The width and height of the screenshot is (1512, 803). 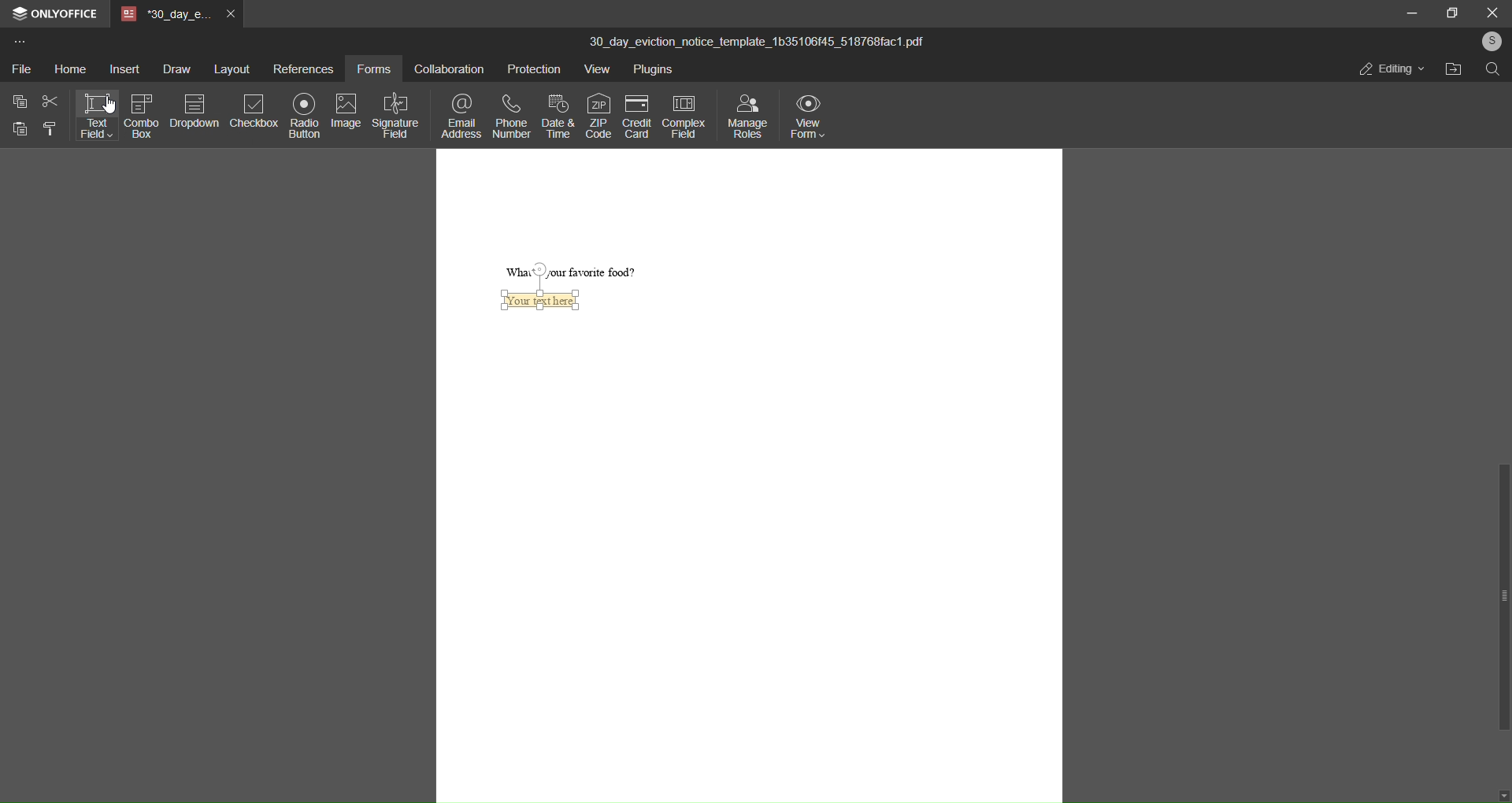 What do you see at coordinates (53, 129) in the screenshot?
I see `paint` at bounding box center [53, 129].